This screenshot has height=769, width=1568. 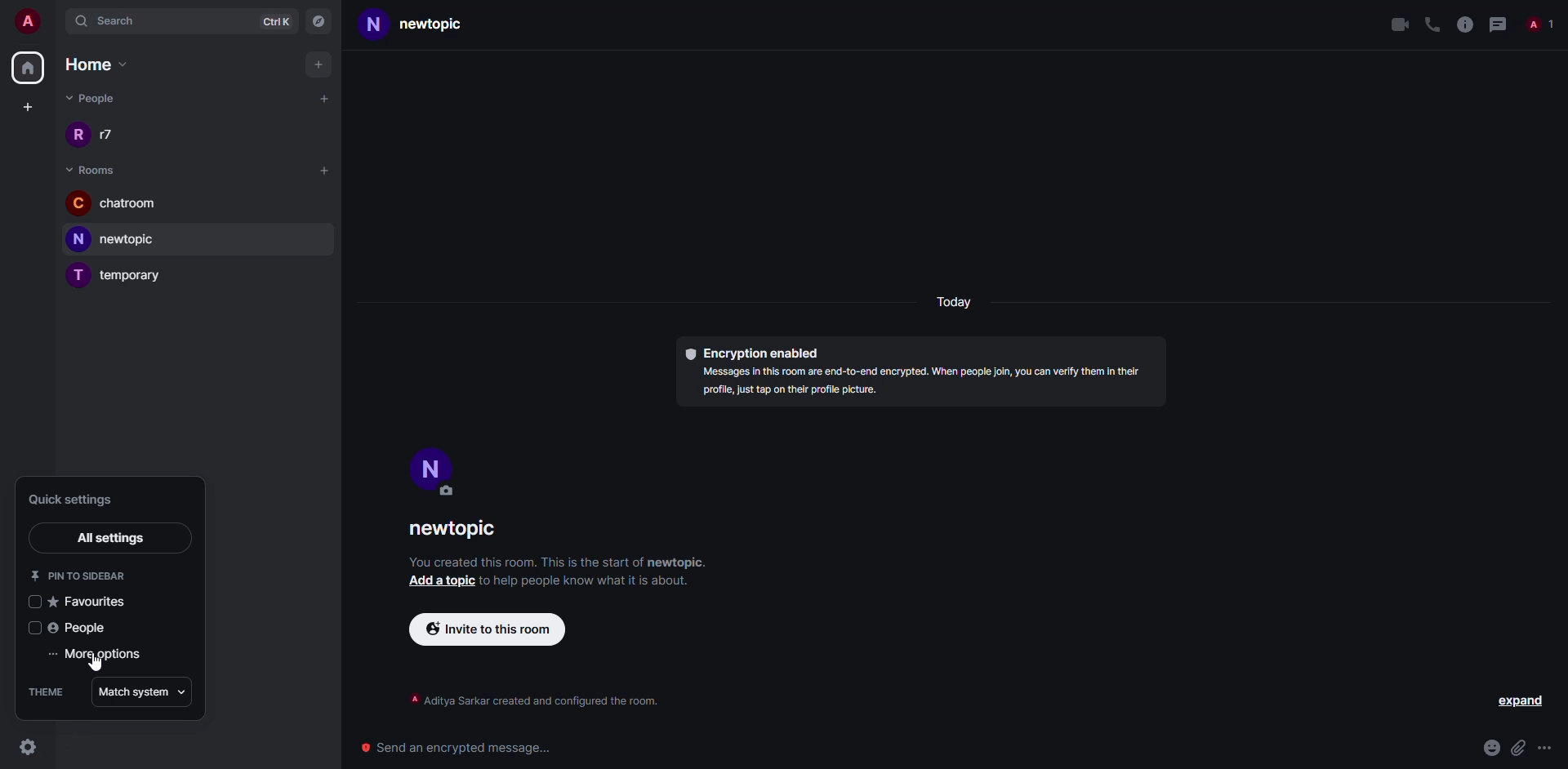 What do you see at coordinates (1465, 24) in the screenshot?
I see `info` at bounding box center [1465, 24].